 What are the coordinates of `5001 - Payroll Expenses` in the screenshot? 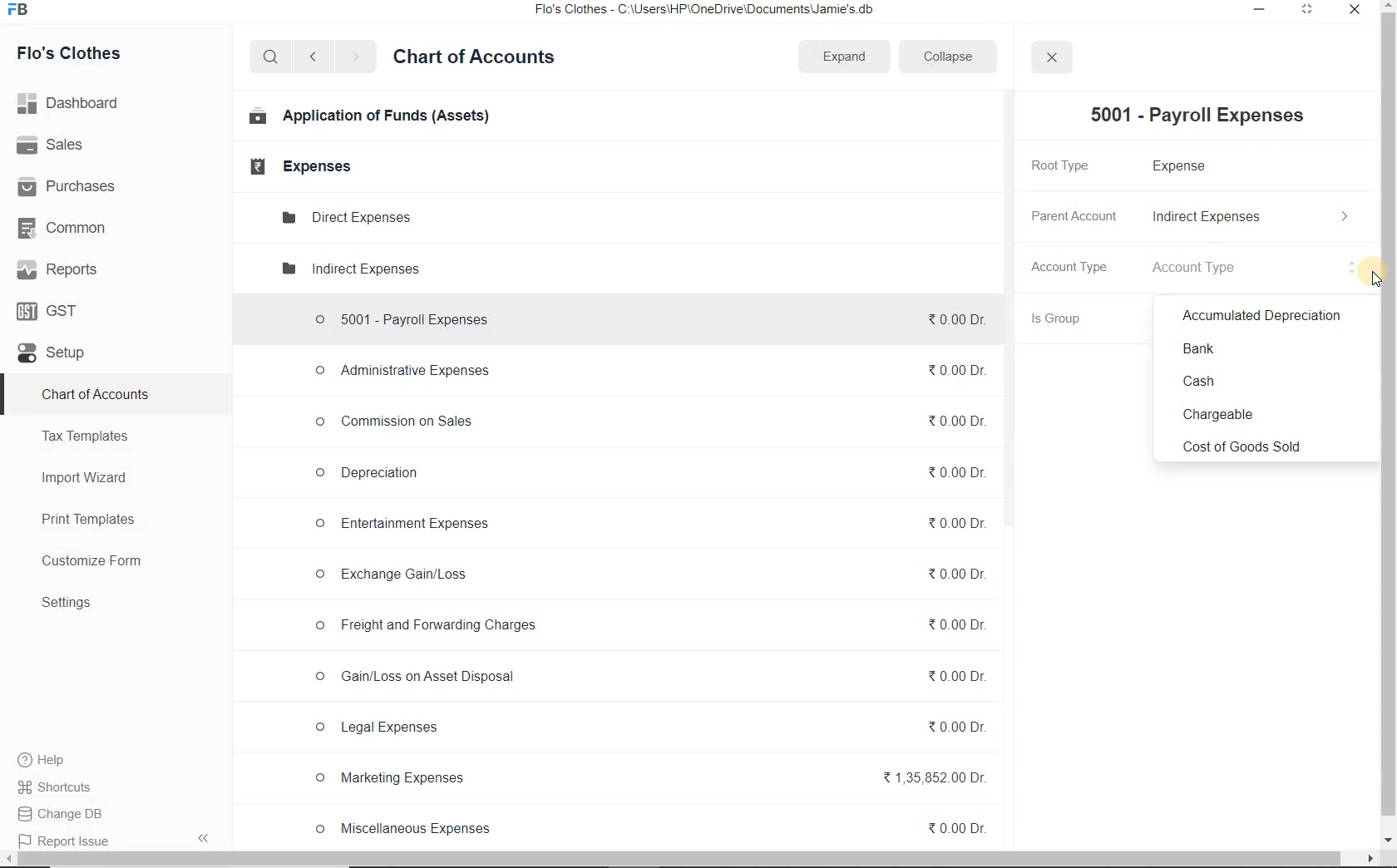 It's located at (1208, 116).